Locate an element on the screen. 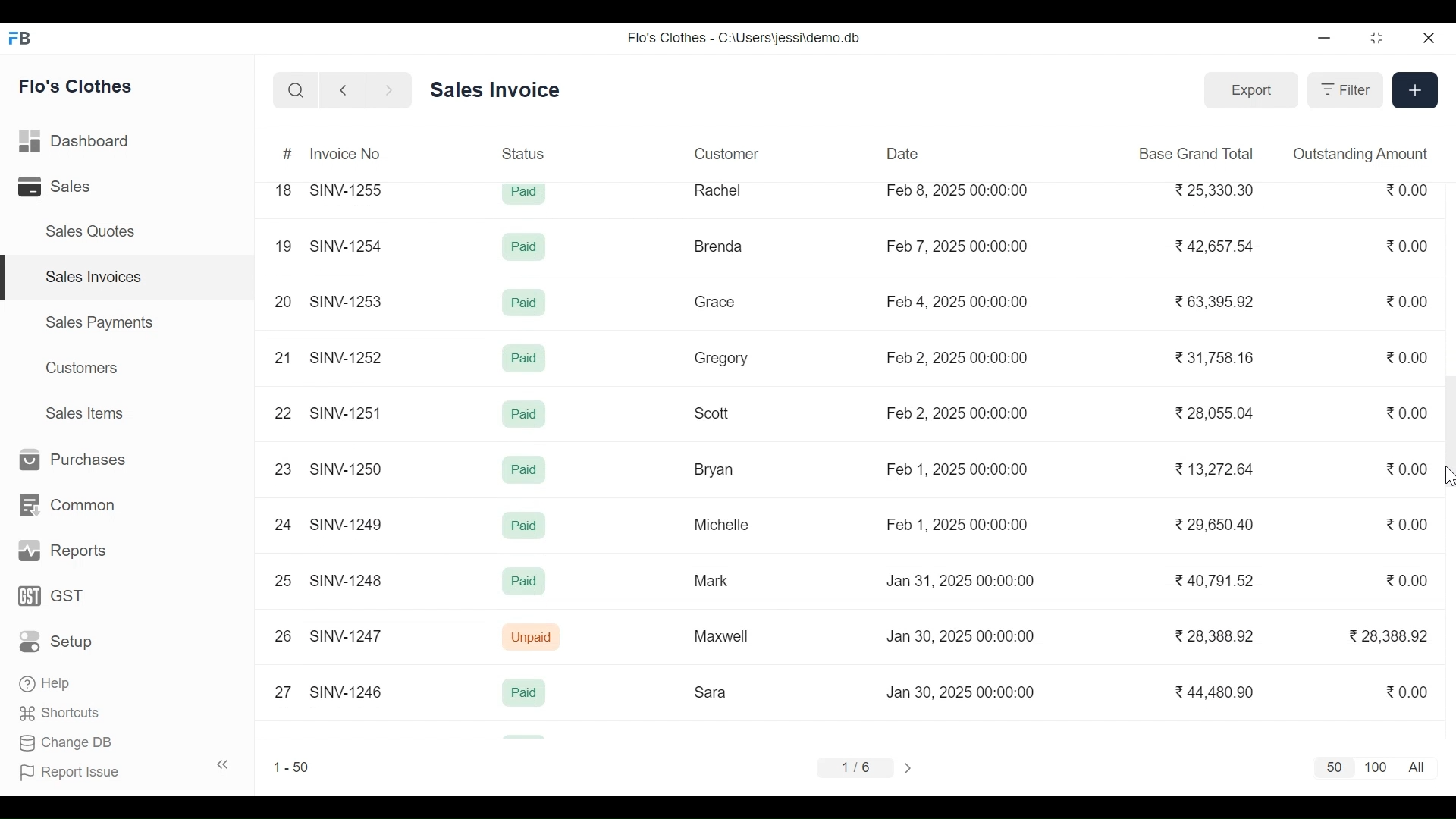  Close is located at coordinates (1426, 39).